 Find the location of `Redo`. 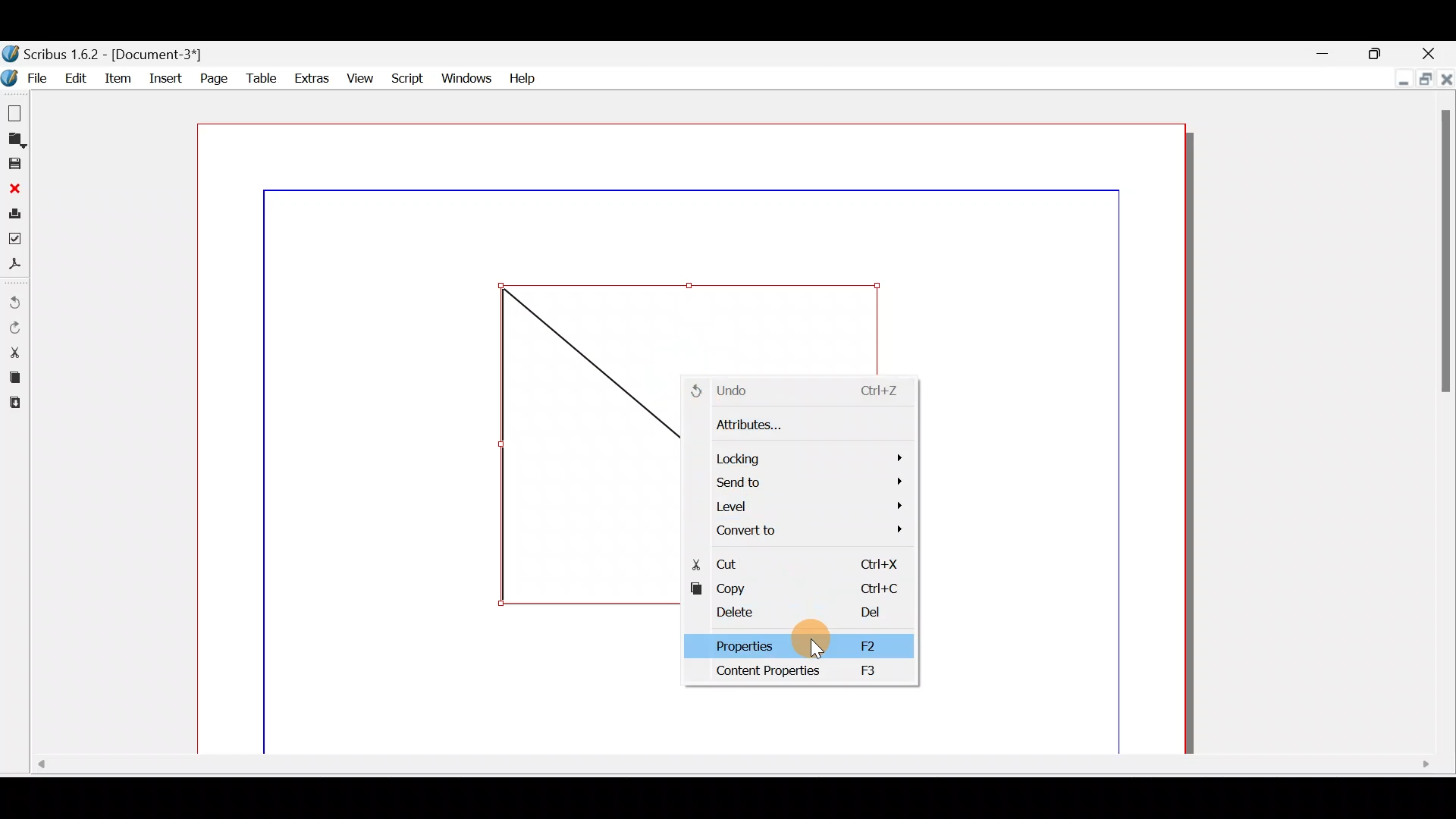

Redo is located at coordinates (17, 328).